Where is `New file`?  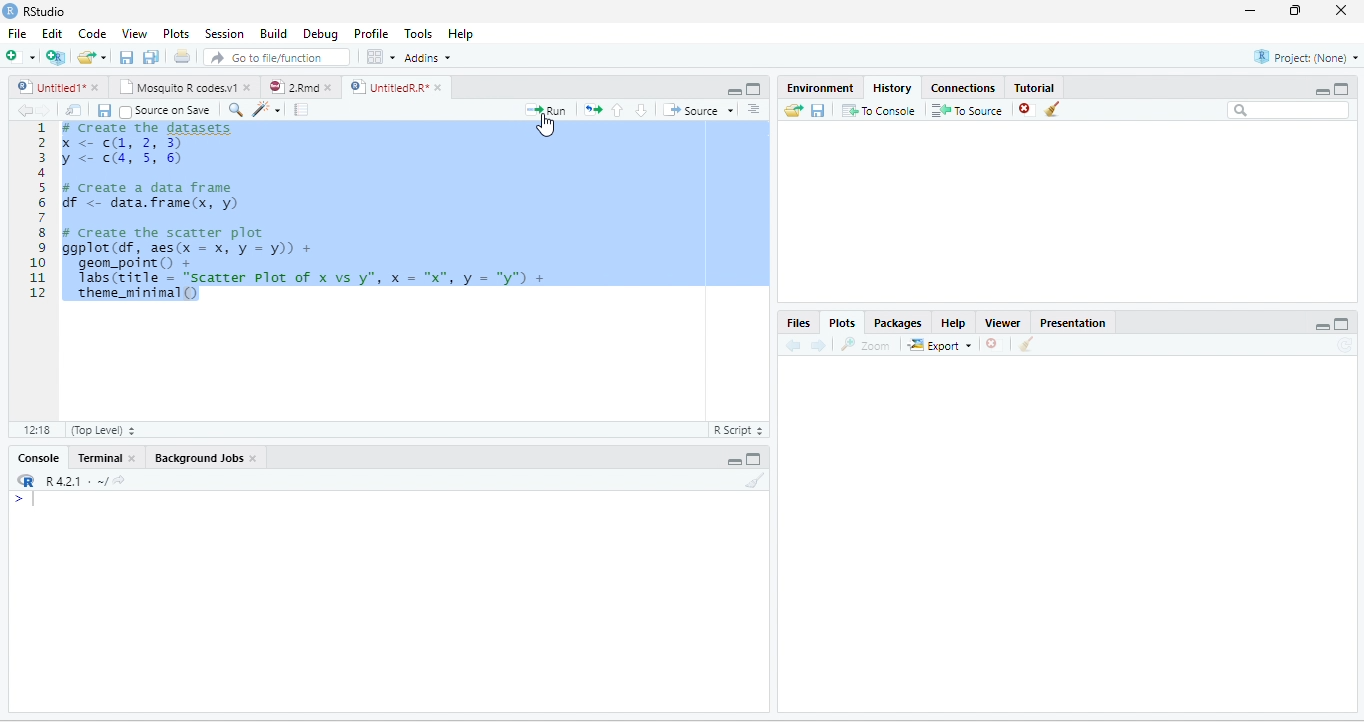 New file is located at coordinates (21, 56).